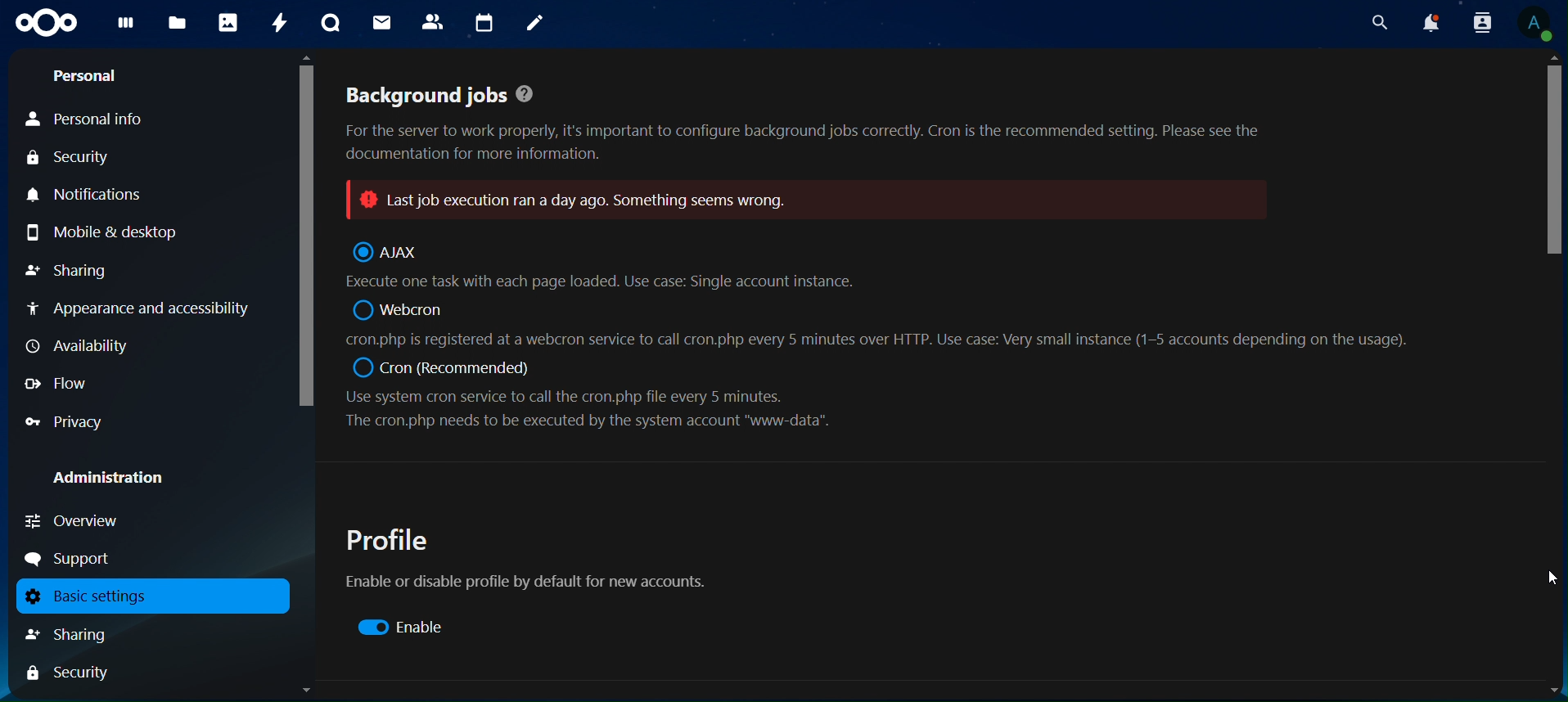  What do you see at coordinates (107, 120) in the screenshot?
I see `personal info` at bounding box center [107, 120].